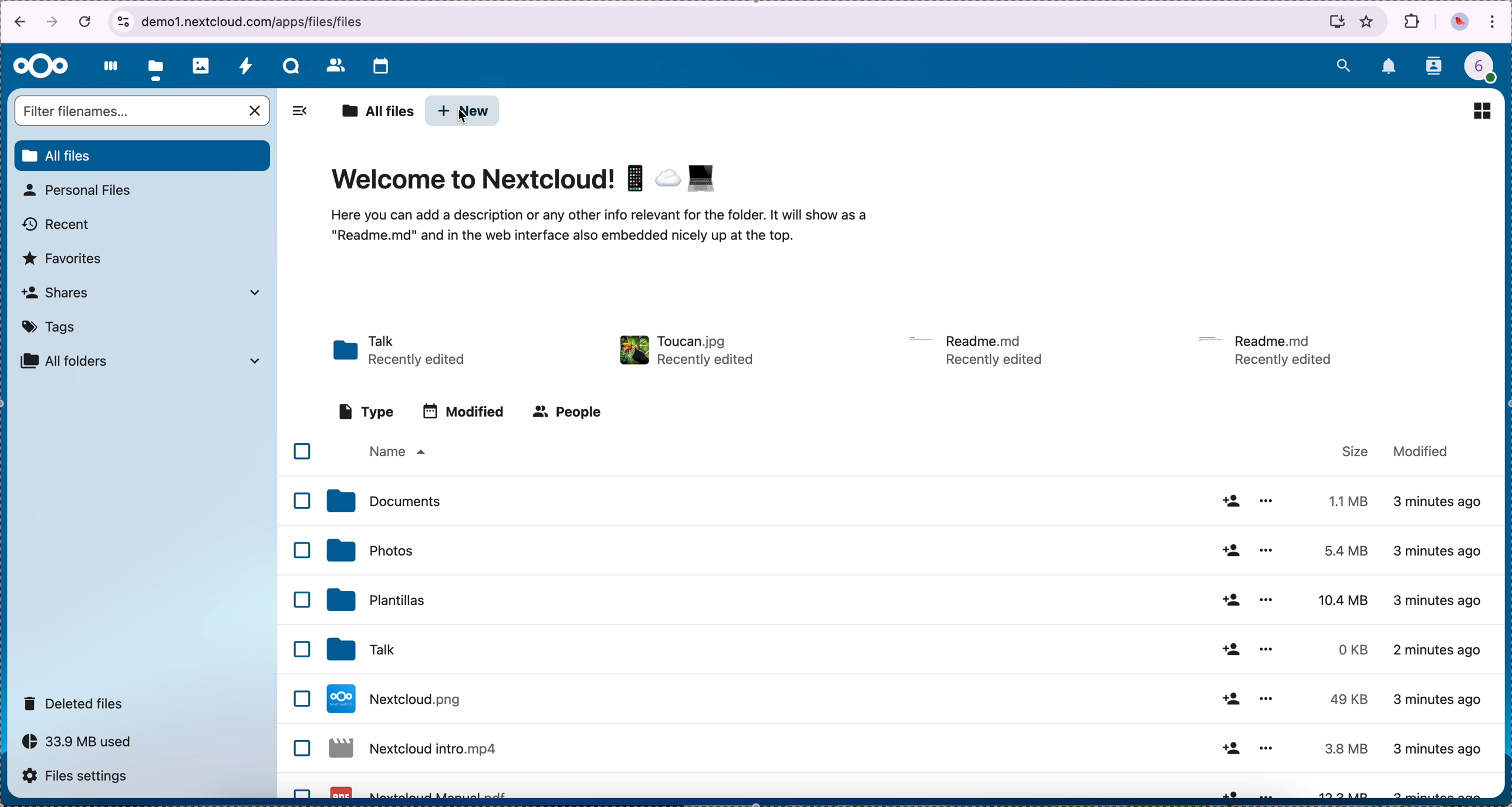  Describe the element at coordinates (1271, 348) in the screenshot. I see `readme file` at that location.